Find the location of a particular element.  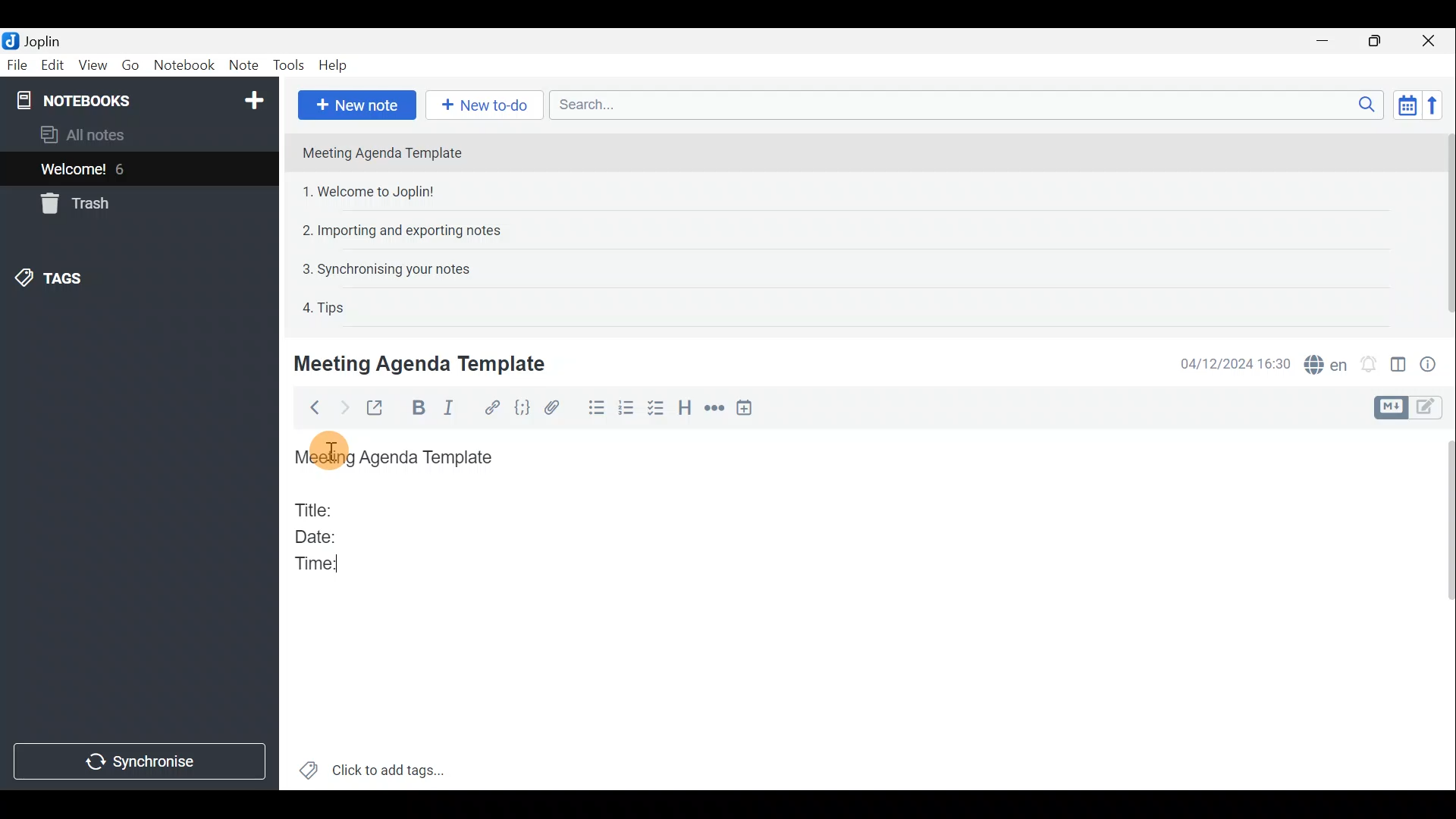

Spell checker is located at coordinates (1327, 362).